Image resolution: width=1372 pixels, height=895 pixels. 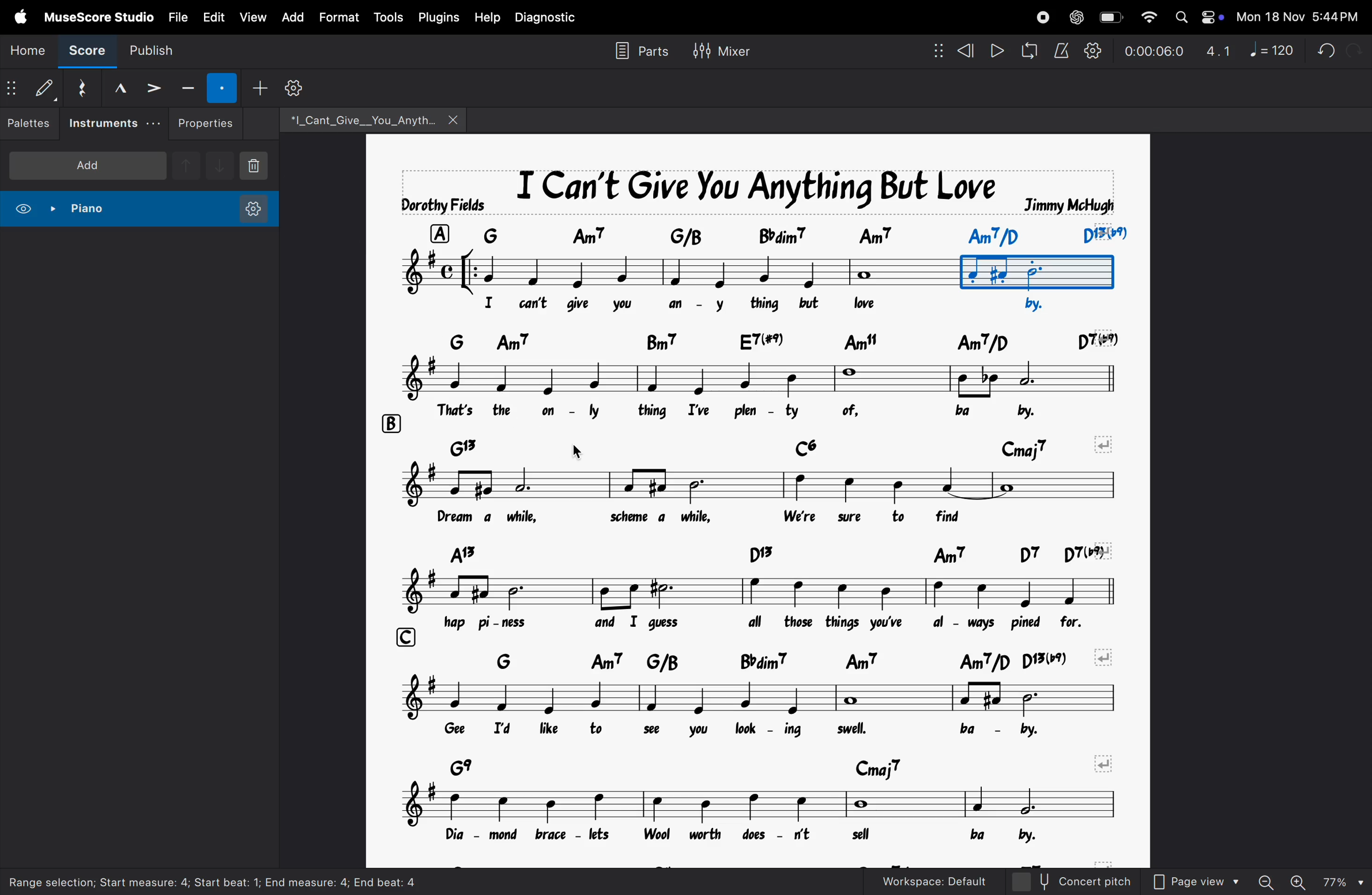 What do you see at coordinates (178, 18) in the screenshot?
I see `file` at bounding box center [178, 18].